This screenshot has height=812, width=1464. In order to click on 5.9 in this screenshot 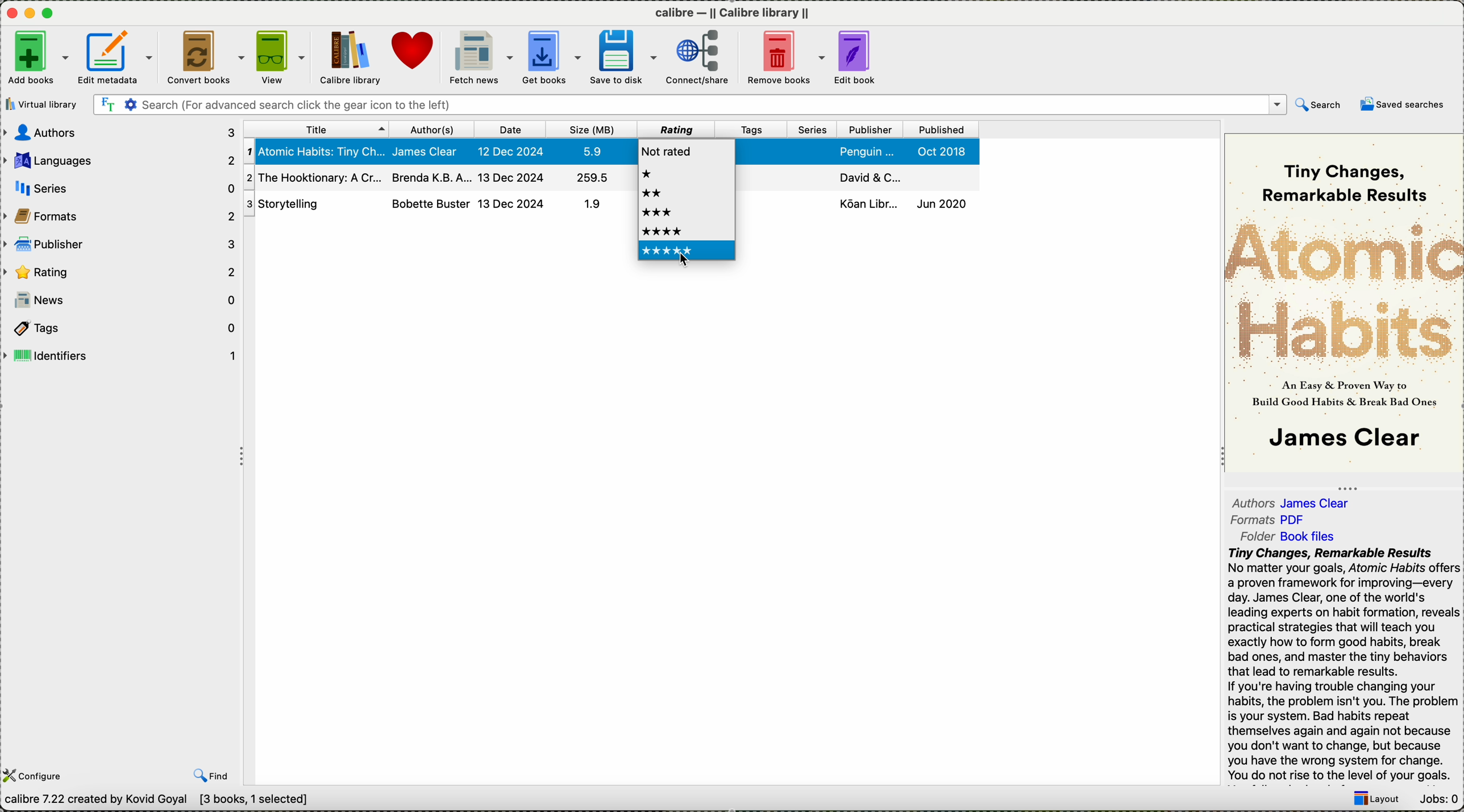, I will do `click(589, 151)`.